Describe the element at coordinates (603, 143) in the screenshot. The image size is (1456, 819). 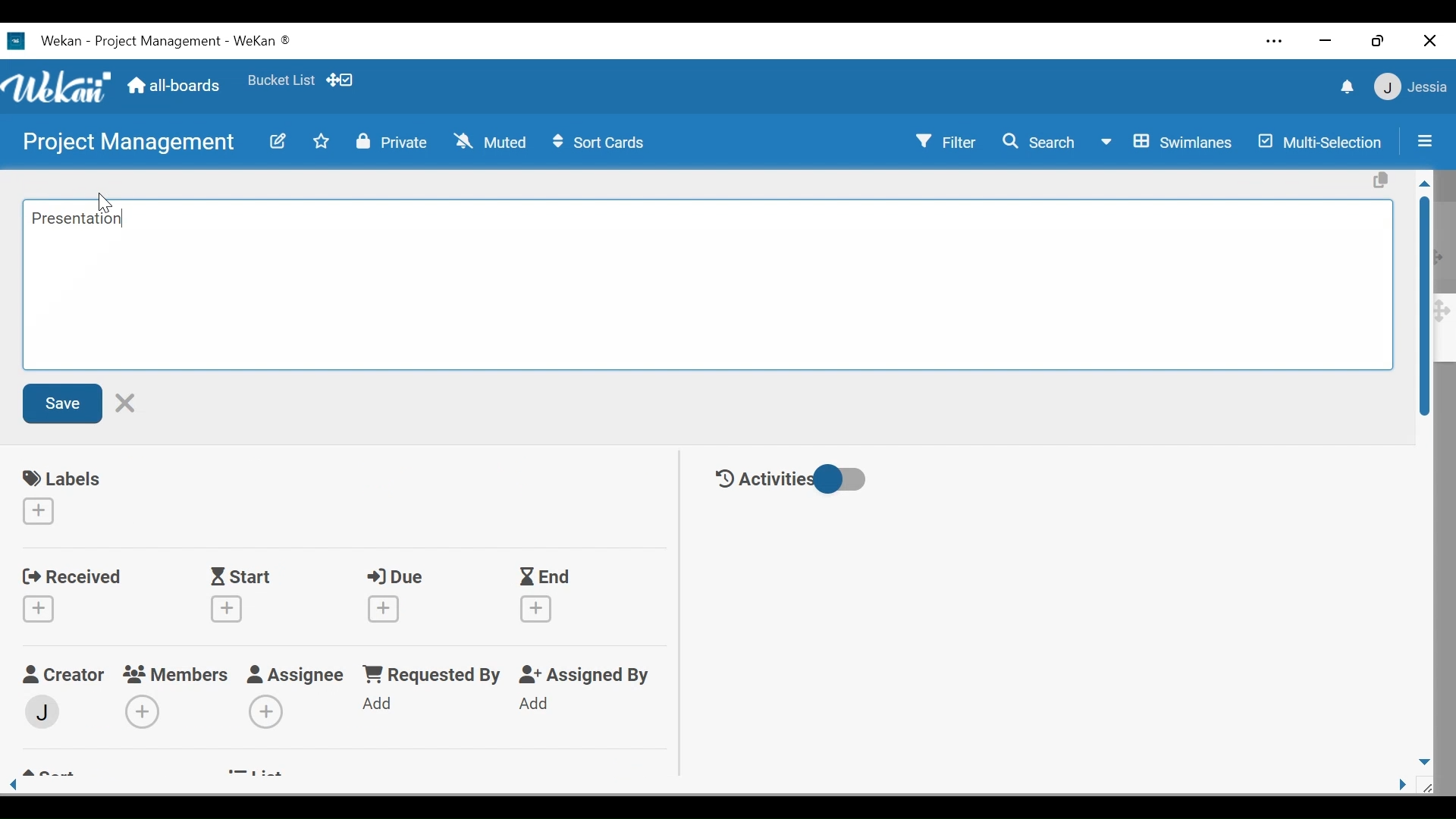
I see `Sort Cards` at that location.